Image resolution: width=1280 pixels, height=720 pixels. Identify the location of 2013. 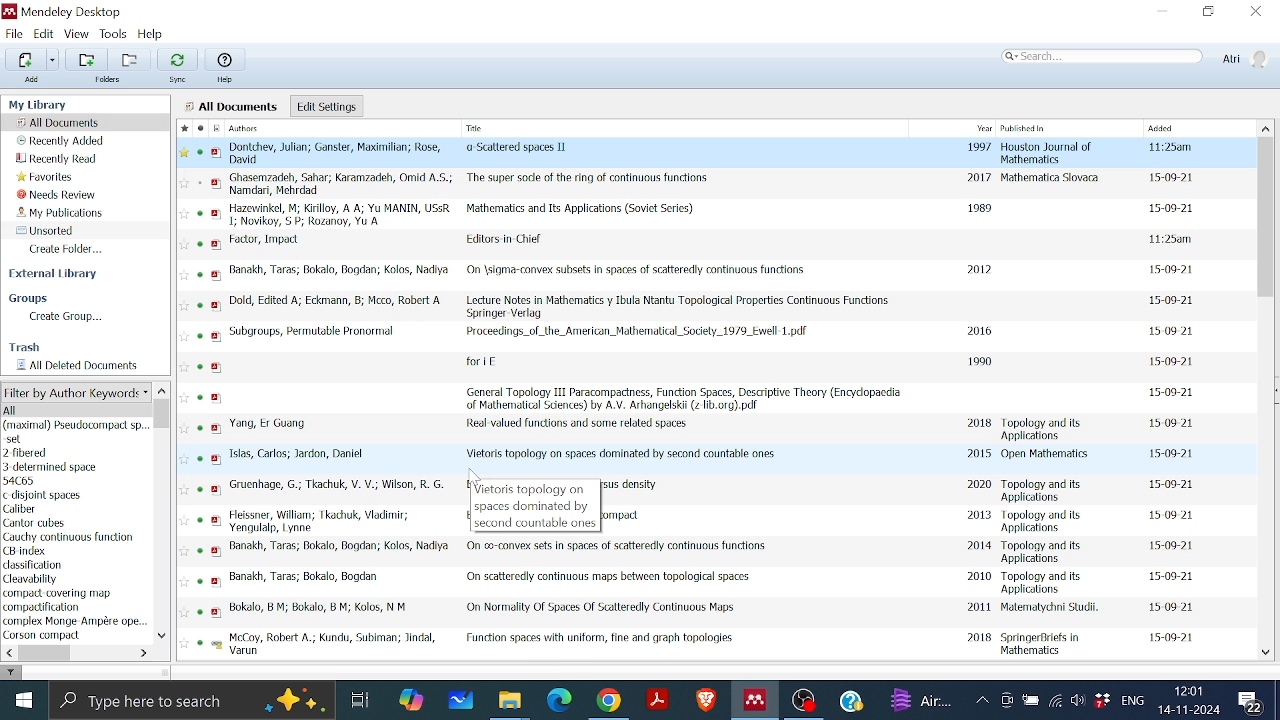
(980, 514).